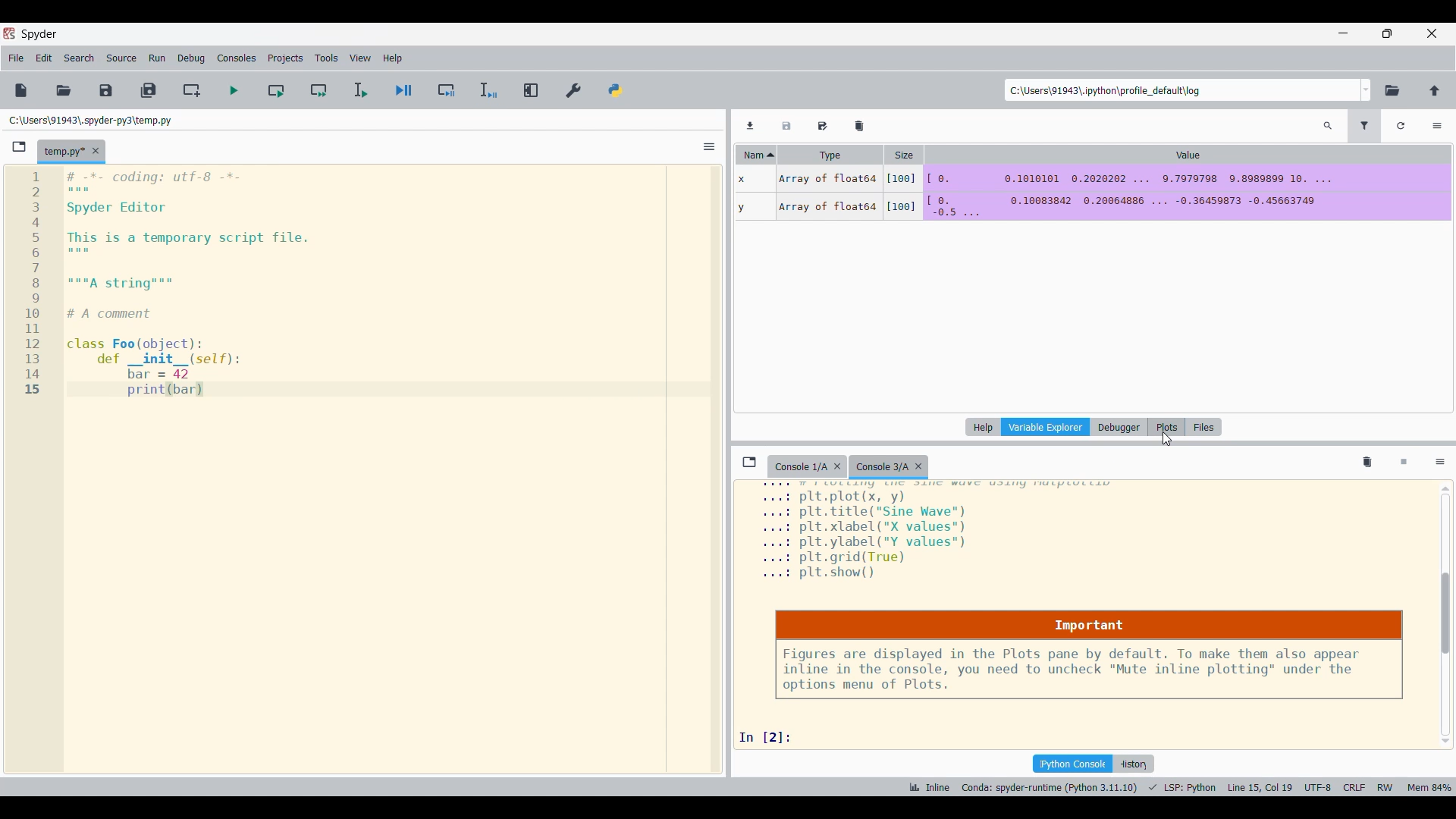 The image size is (1456, 819). I want to click on Run file, so click(234, 90).